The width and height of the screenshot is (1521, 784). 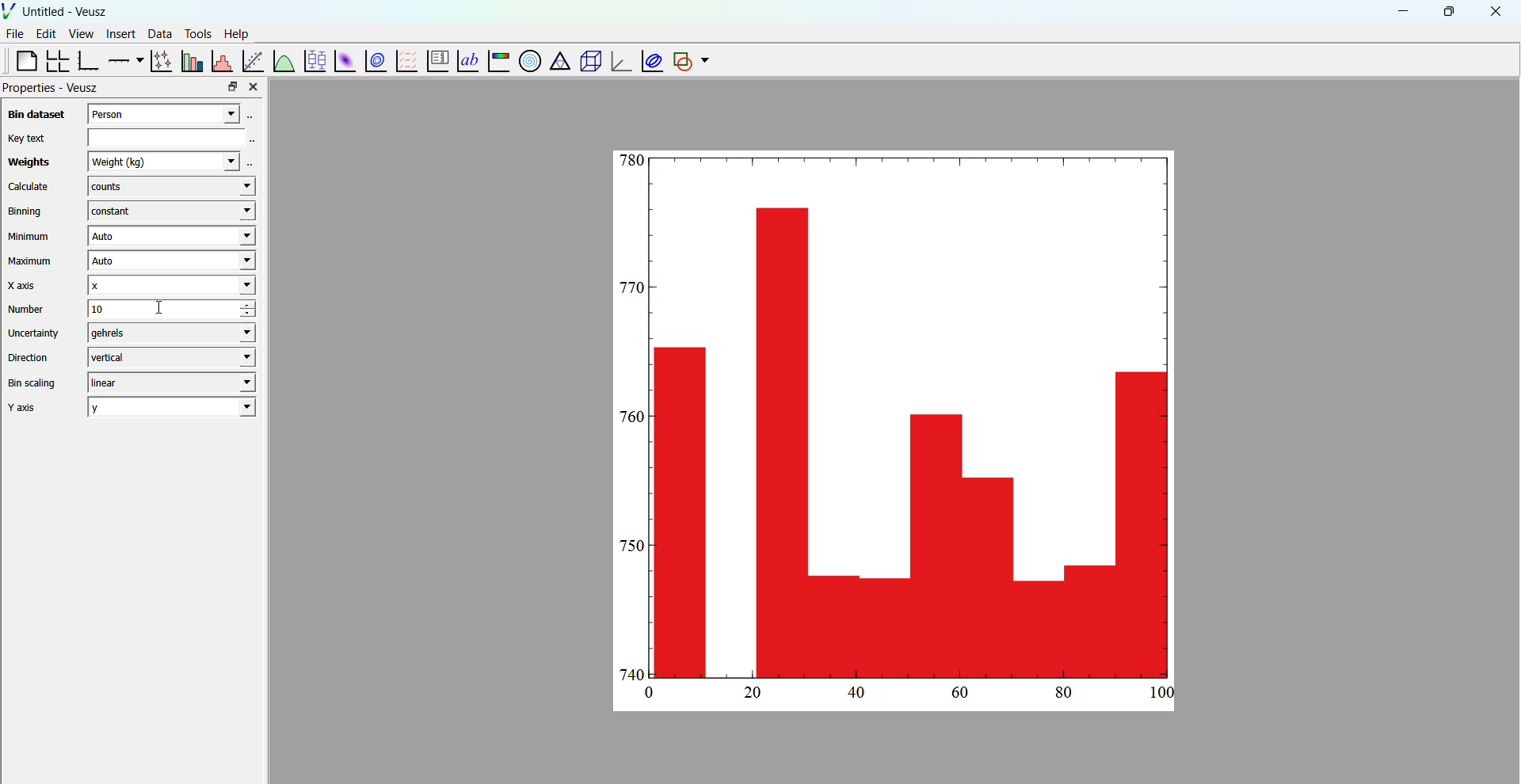 What do you see at coordinates (253, 60) in the screenshot?
I see `fit a function to a date` at bounding box center [253, 60].